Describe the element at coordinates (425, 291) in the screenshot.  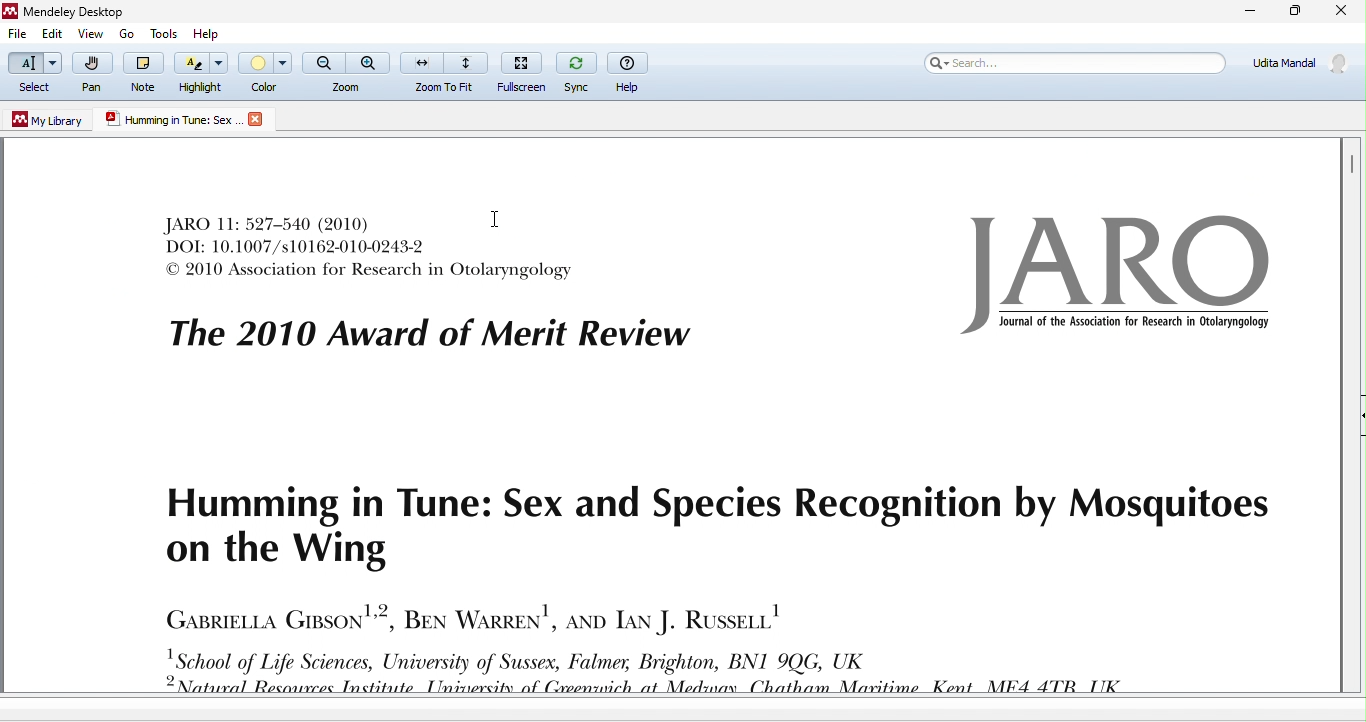
I see `journal text` at that location.